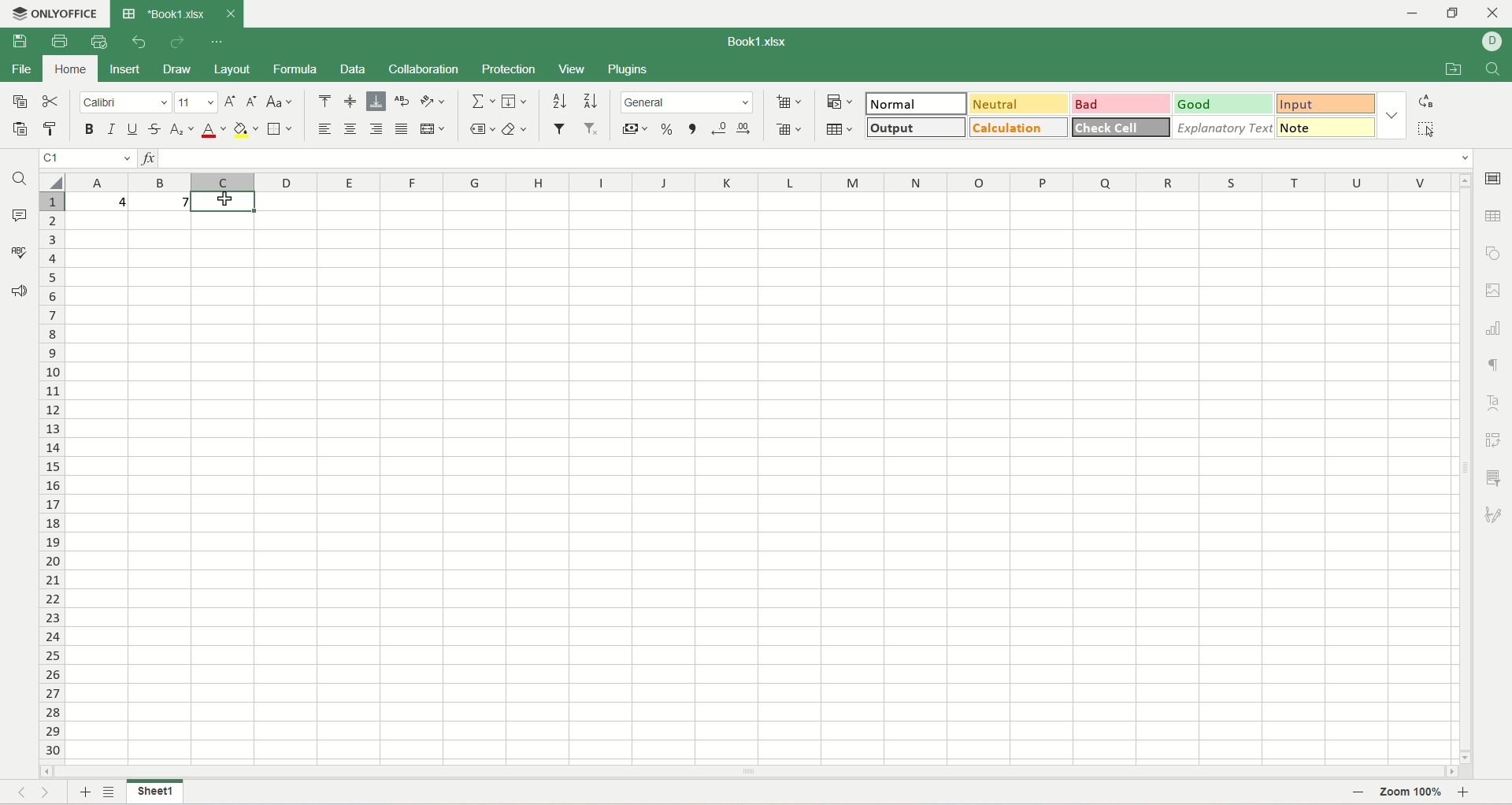 The width and height of the screenshot is (1512, 805). I want to click on fill, so click(514, 102).